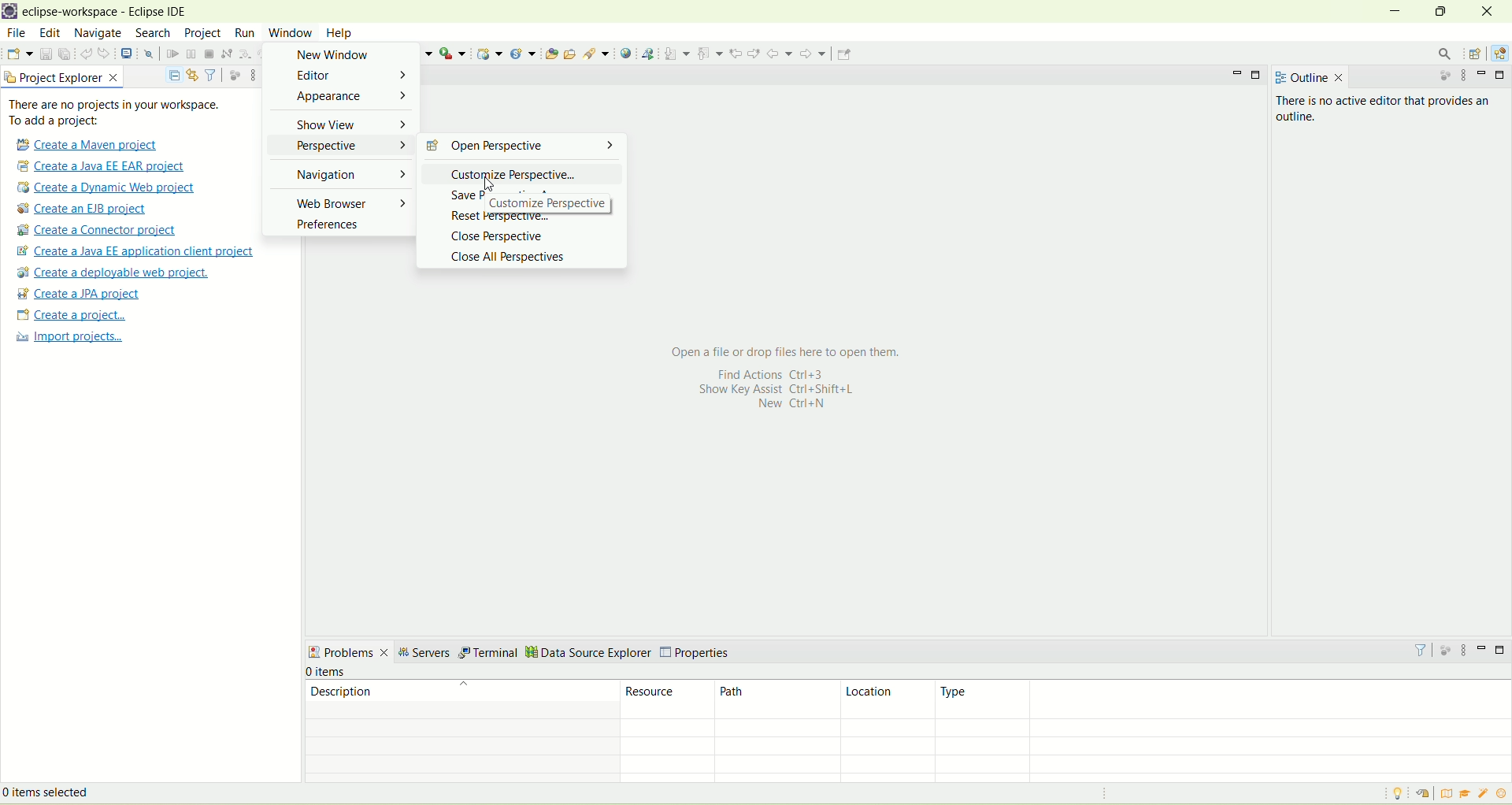 This screenshot has width=1512, height=805. Describe the element at coordinates (1482, 647) in the screenshot. I see `minimize` at that location.